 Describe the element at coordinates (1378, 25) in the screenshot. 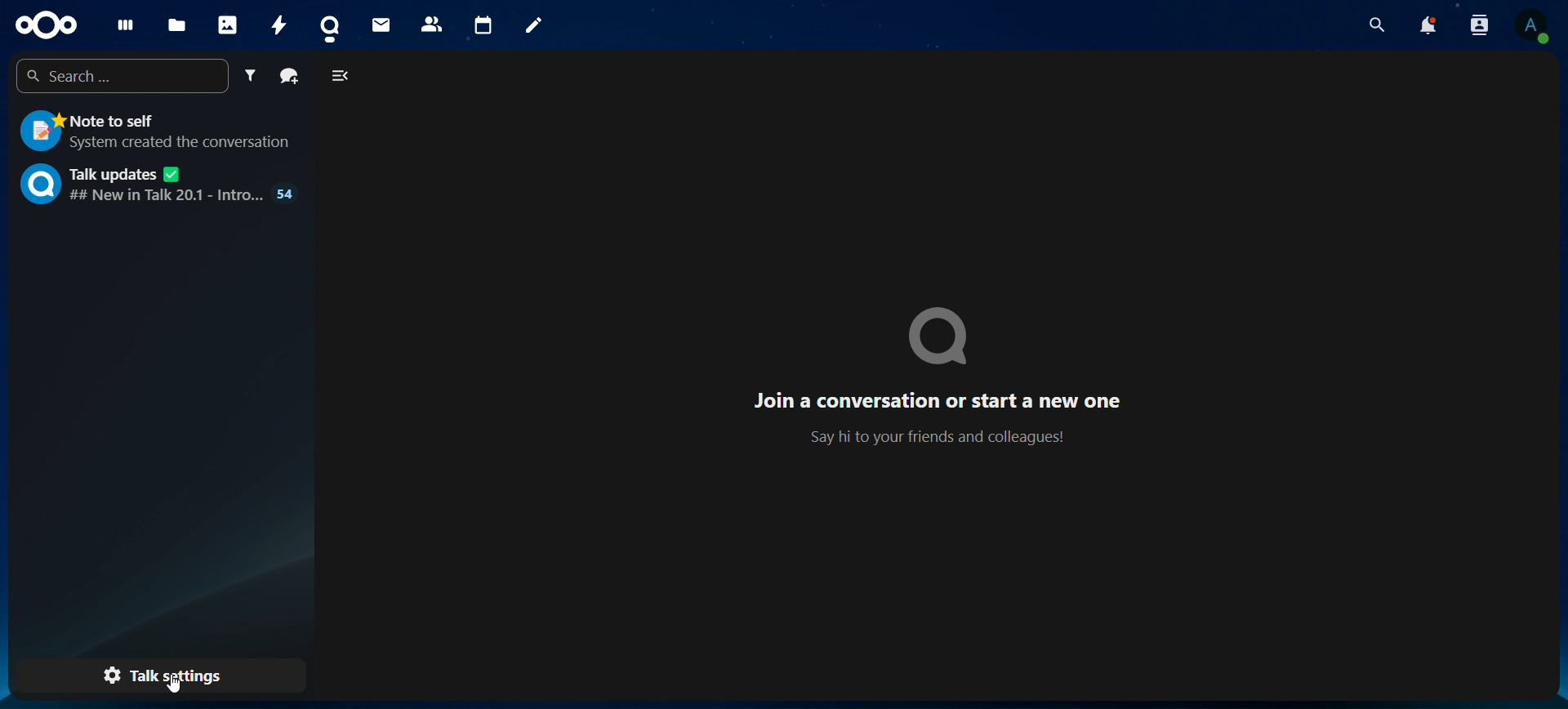

I see `search` at that location.